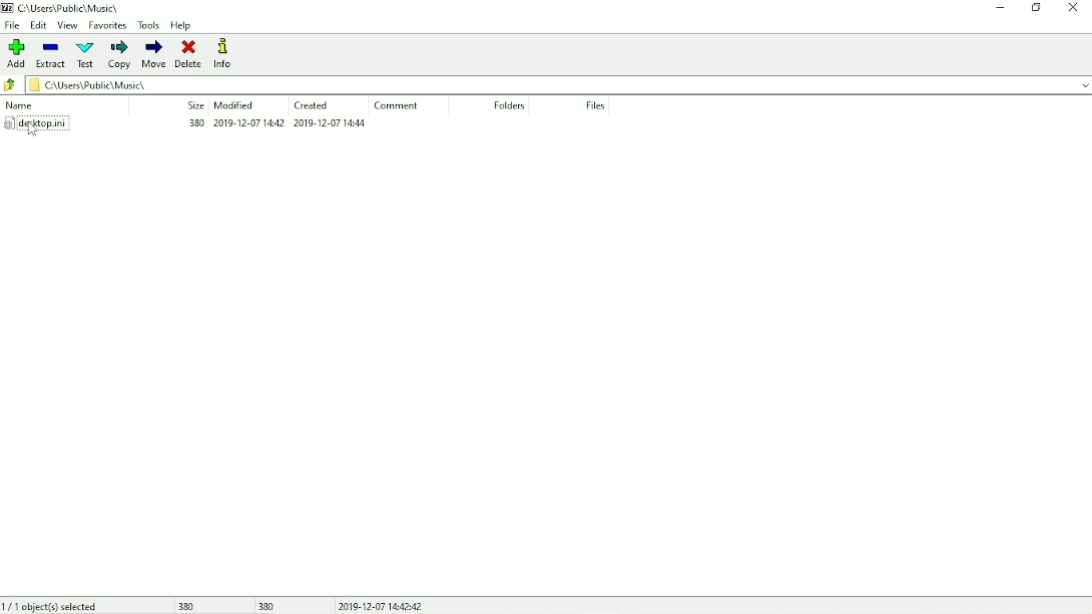 This screenshot has width=1092, height=614. Describe the element at coordinates (53, 605) in the screenshot. I see `1/1 object(s) selected` at that location.